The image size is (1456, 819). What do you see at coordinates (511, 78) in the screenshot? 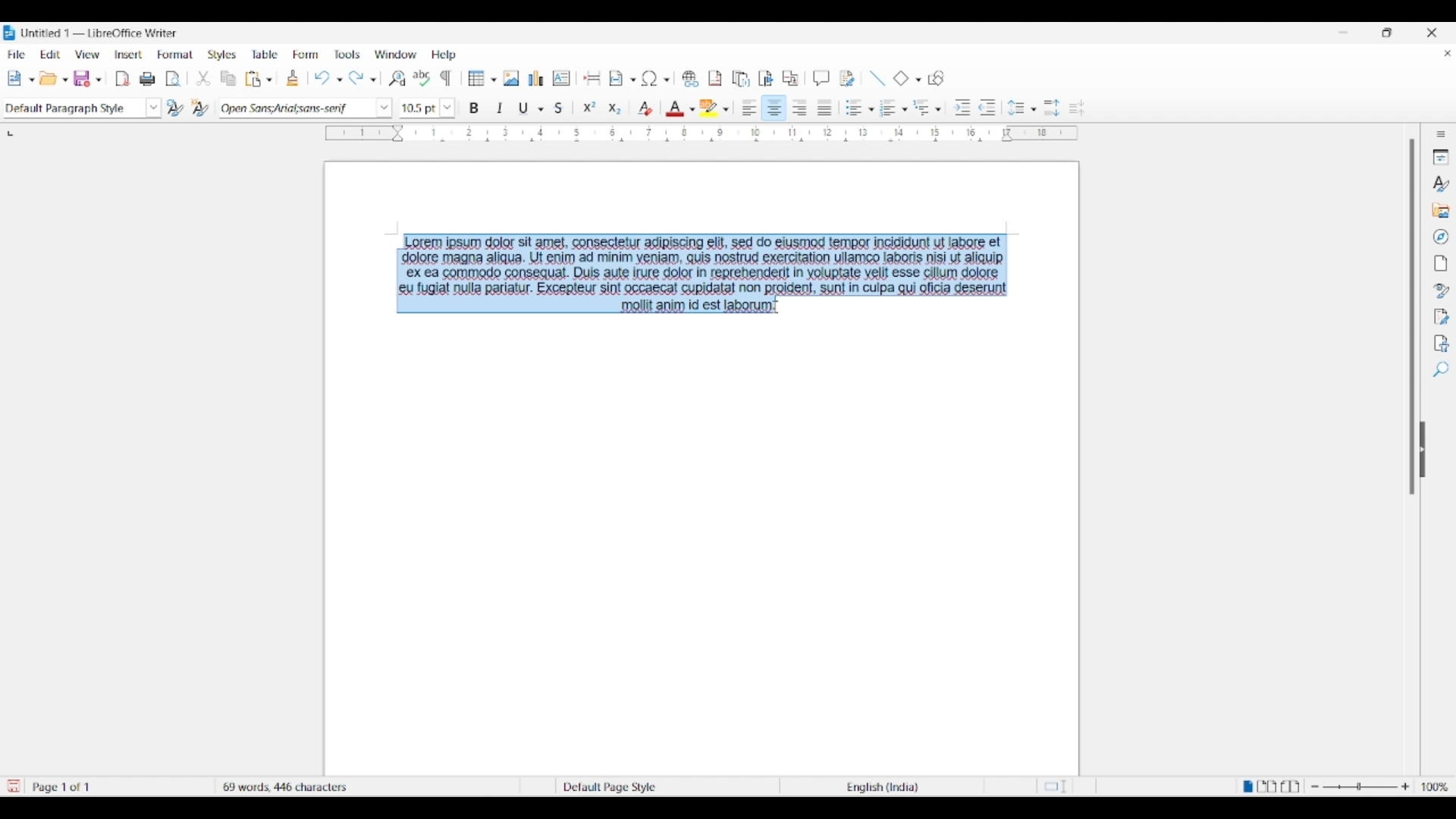
I see `Insert image` at bounding box center [511, 78].